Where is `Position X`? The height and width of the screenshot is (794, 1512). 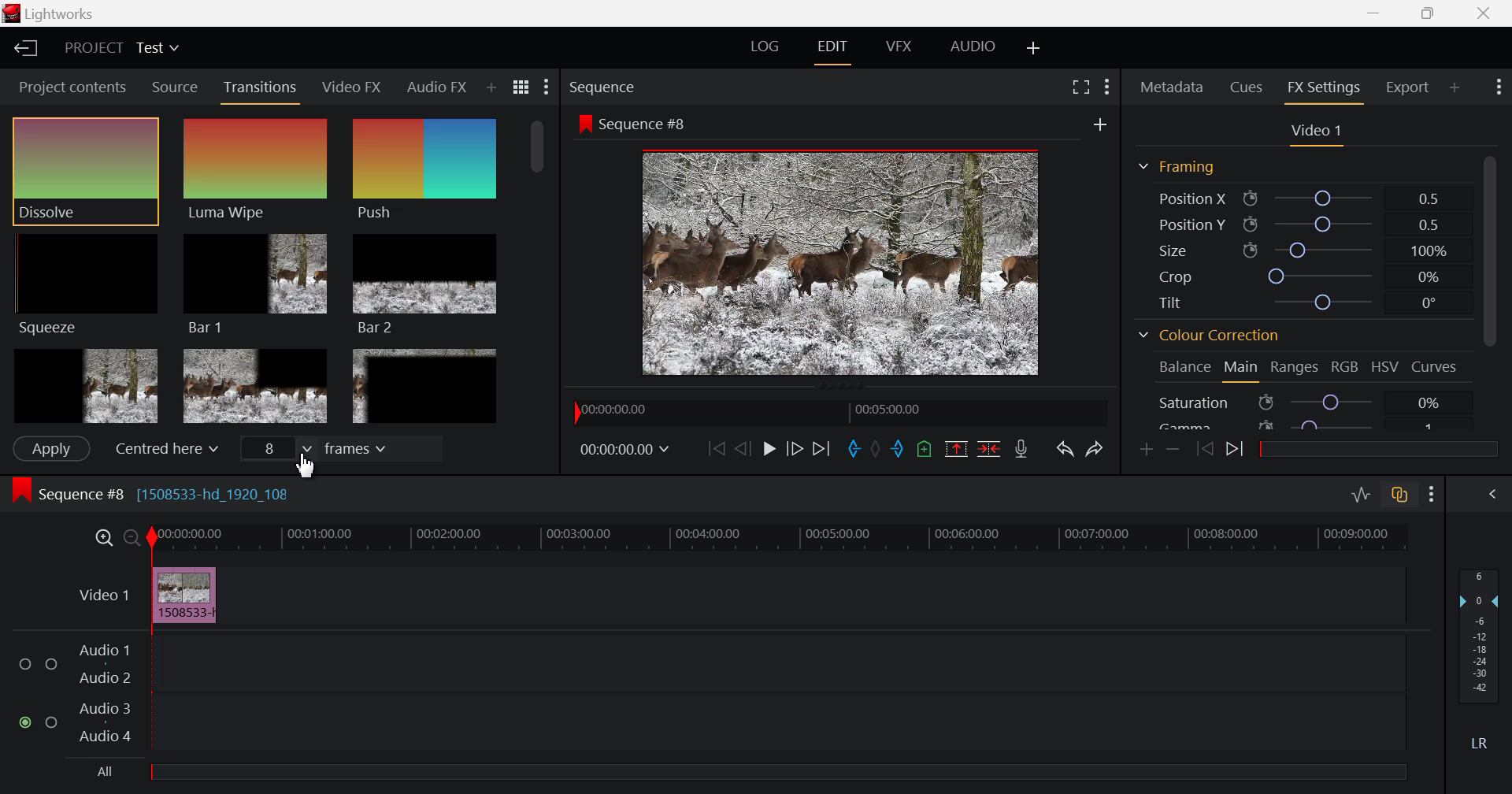 Position X is located at coordinates (1299, 198).